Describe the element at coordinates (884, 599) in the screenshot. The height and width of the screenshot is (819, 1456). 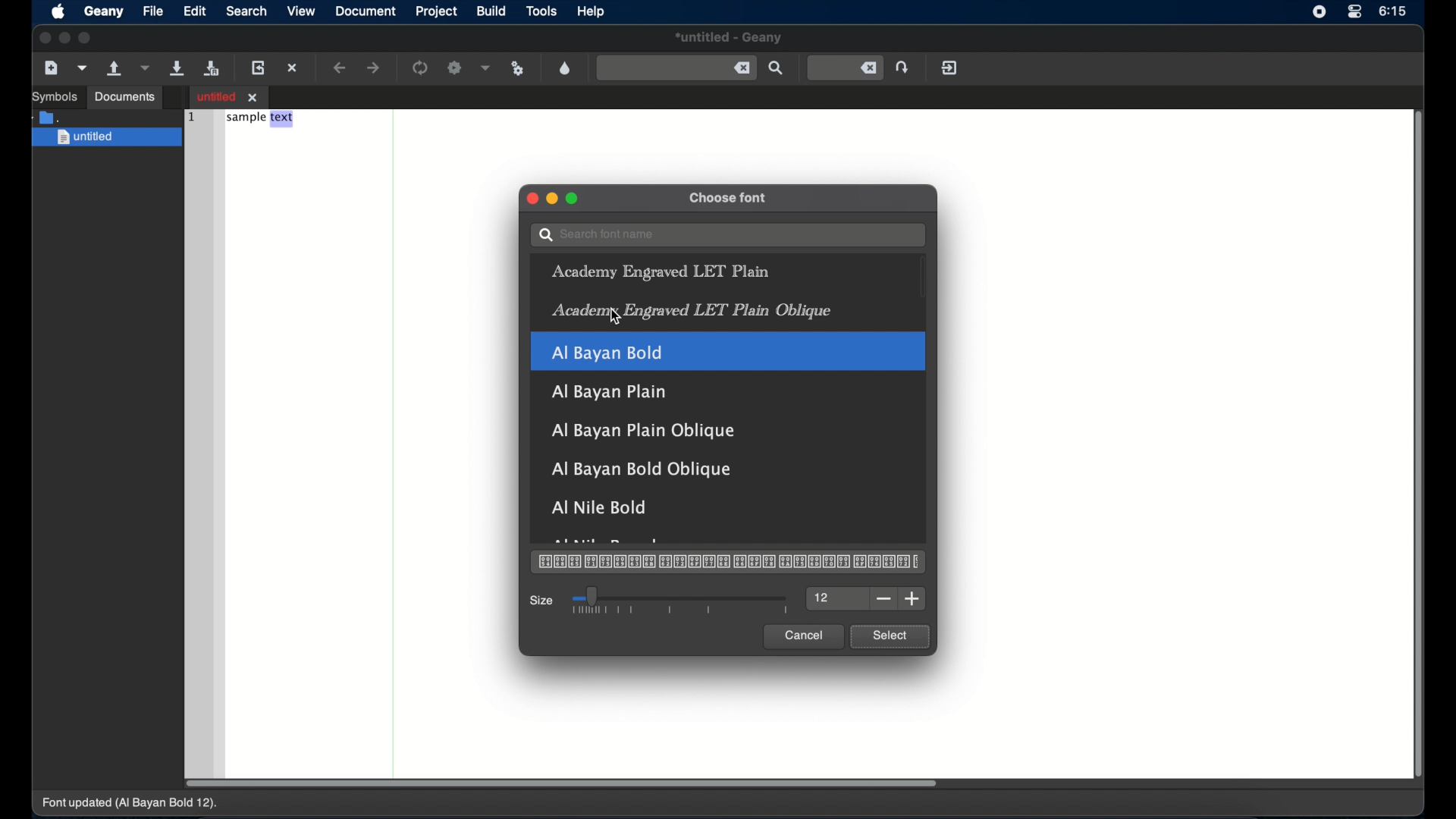
I see `decrement` at that location.